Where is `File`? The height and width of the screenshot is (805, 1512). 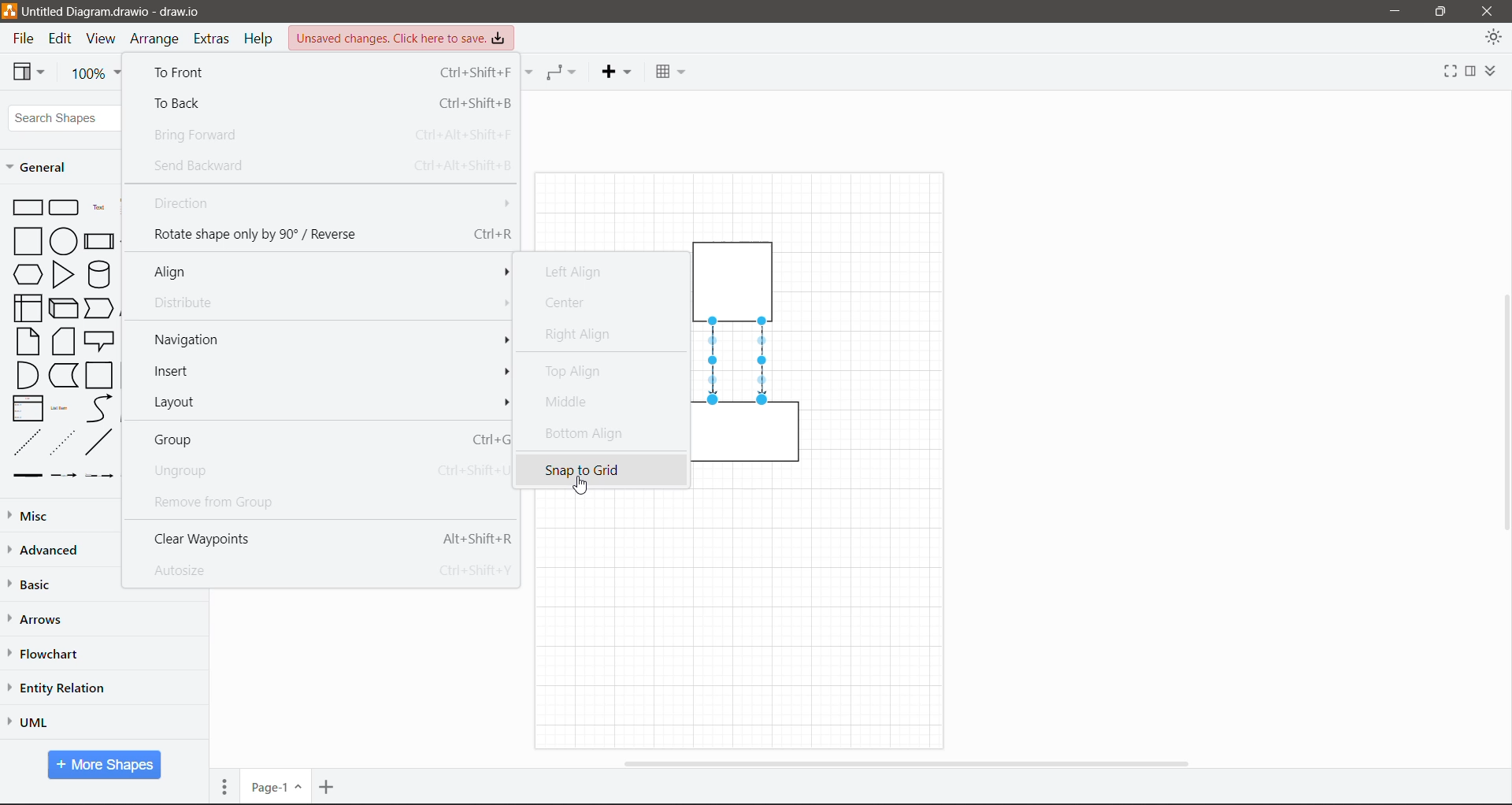 File is located at coordinates (22, 39).